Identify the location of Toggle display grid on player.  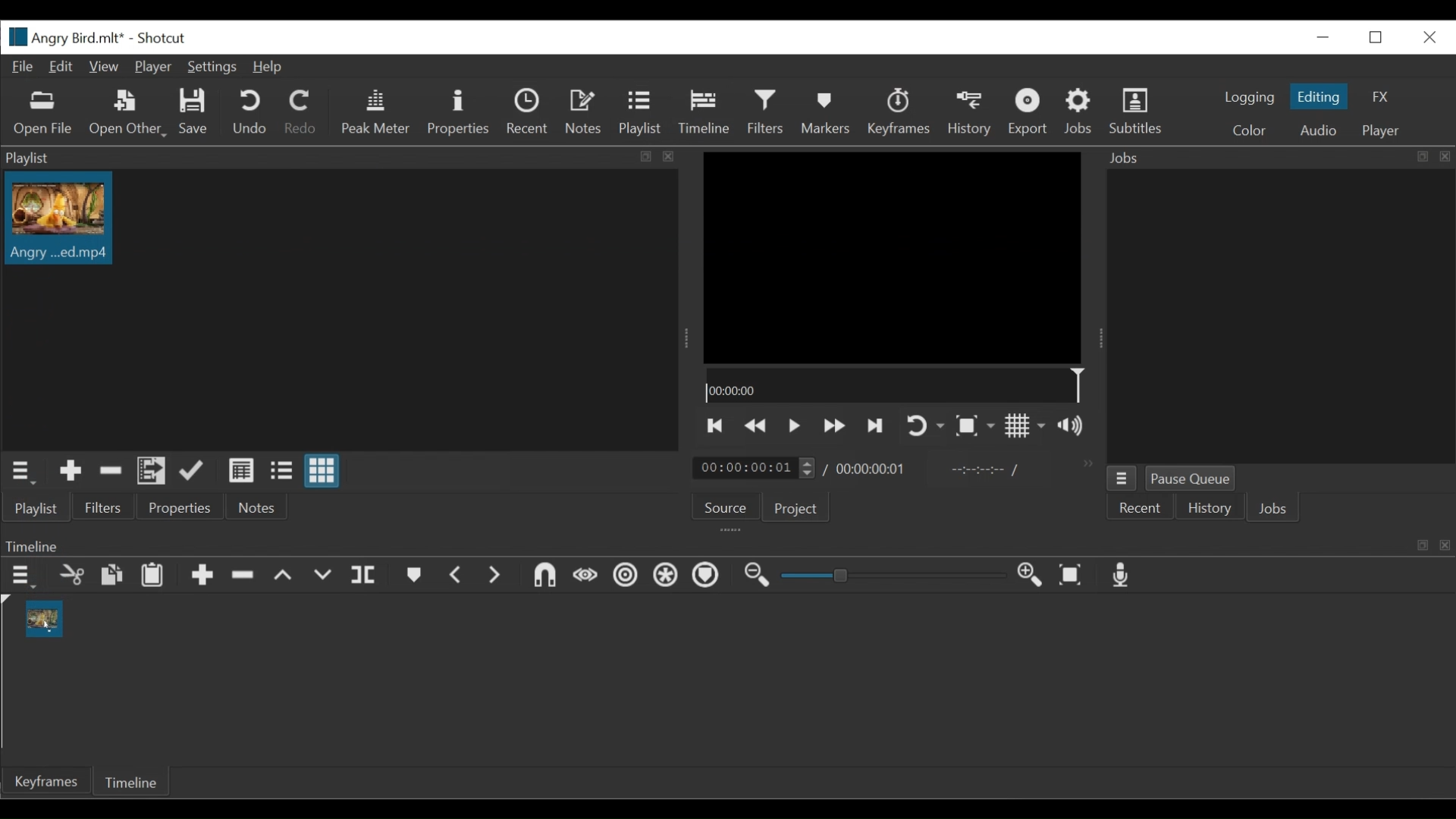
(1026, 426).